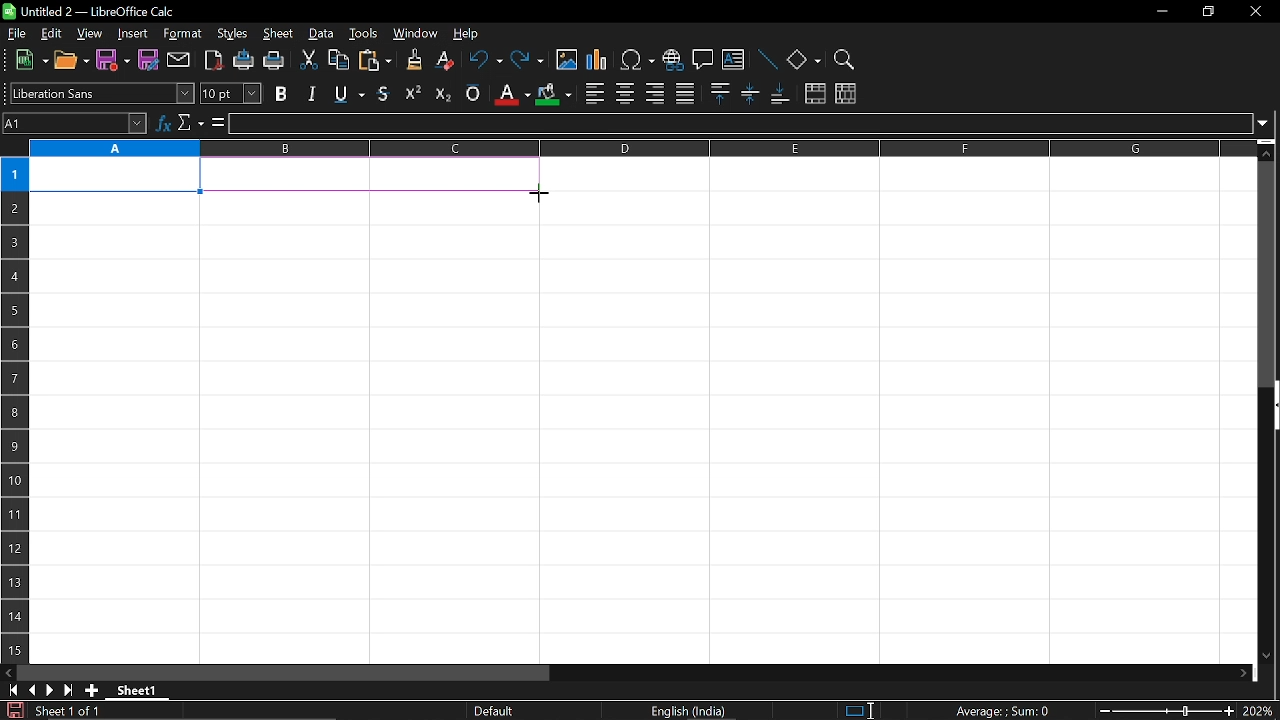 This screenshot has width=1280, height=720. I want to click on unmerge cells, so click(846, 95).